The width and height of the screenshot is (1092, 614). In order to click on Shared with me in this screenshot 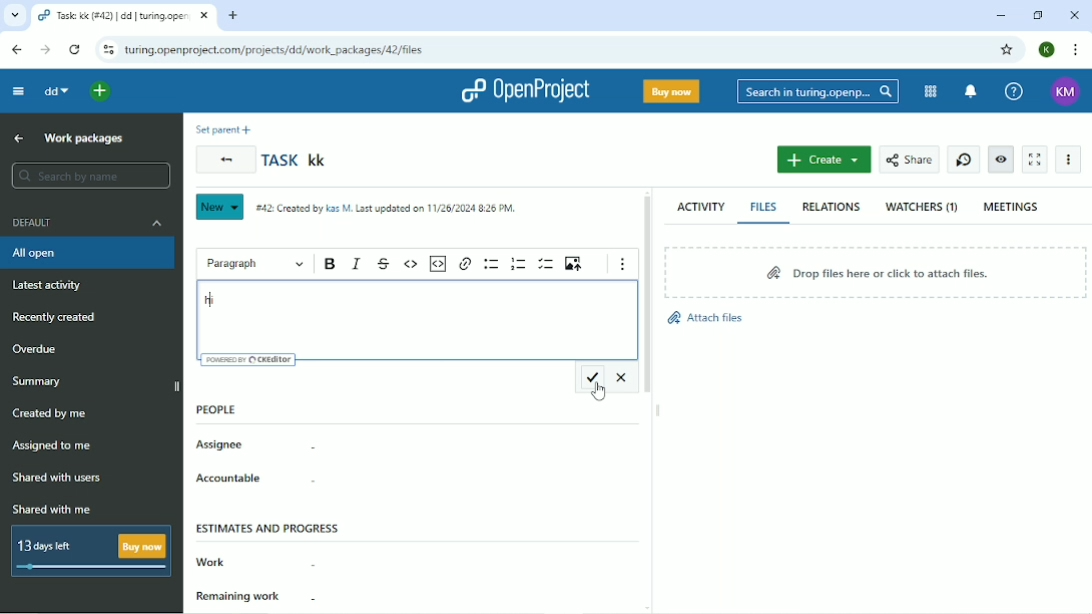, I will do `click(50, 509)`.